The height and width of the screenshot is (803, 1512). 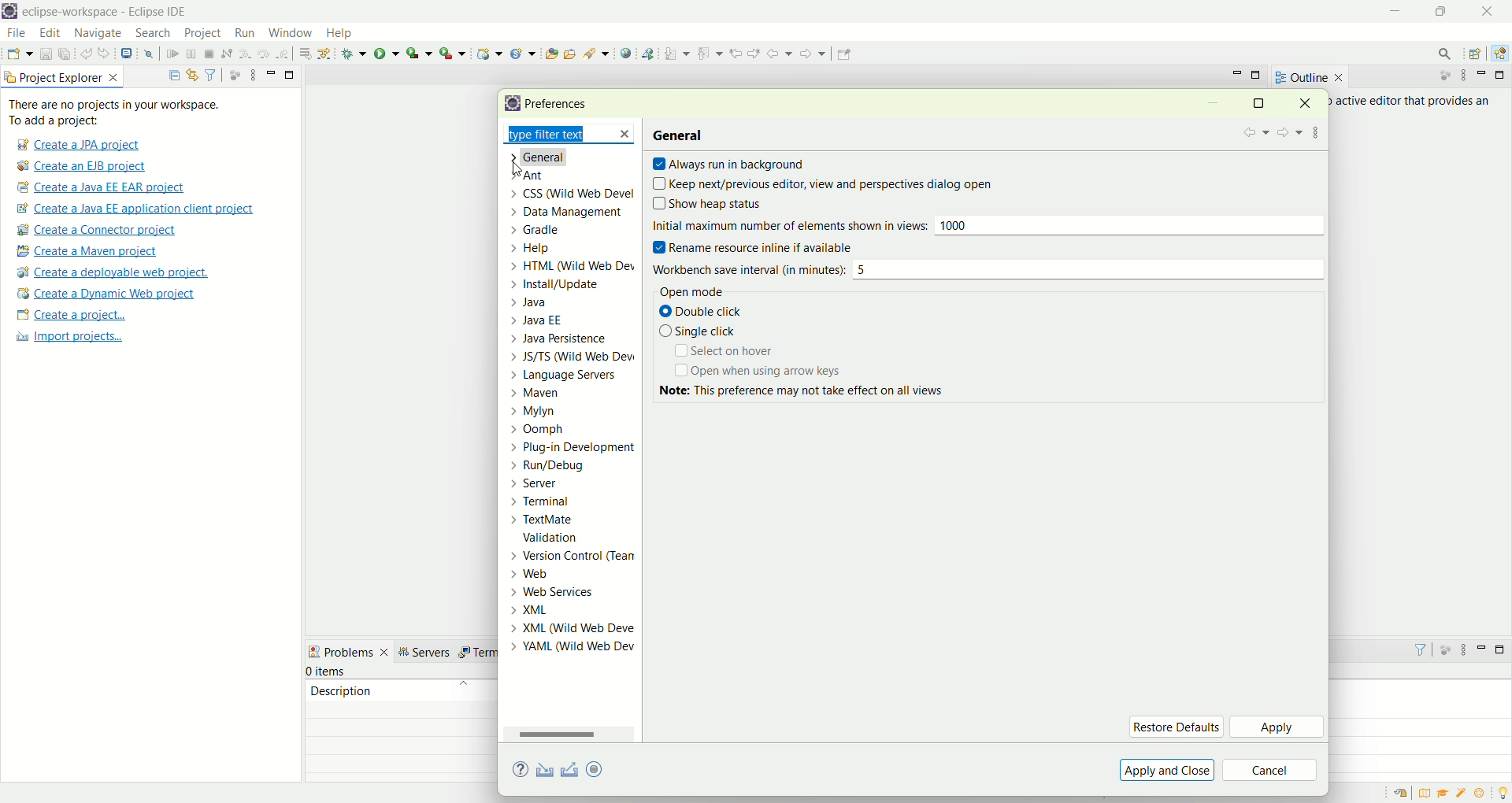 What do you see at coordinates (153, 34) in the screenshot?
I see `search` at bounding box center [153, 34].